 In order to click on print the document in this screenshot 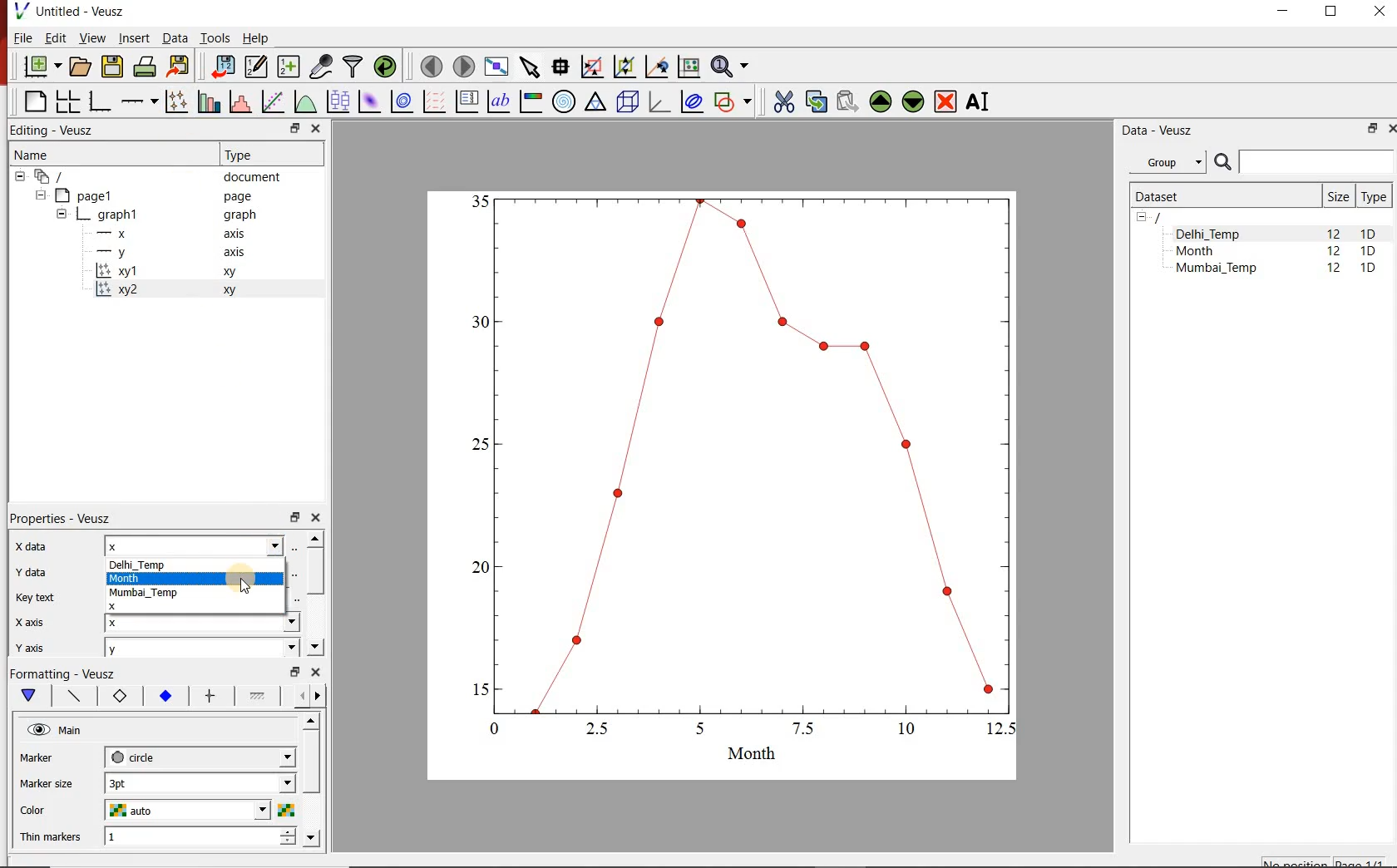, I will do `click(145, 67)`.